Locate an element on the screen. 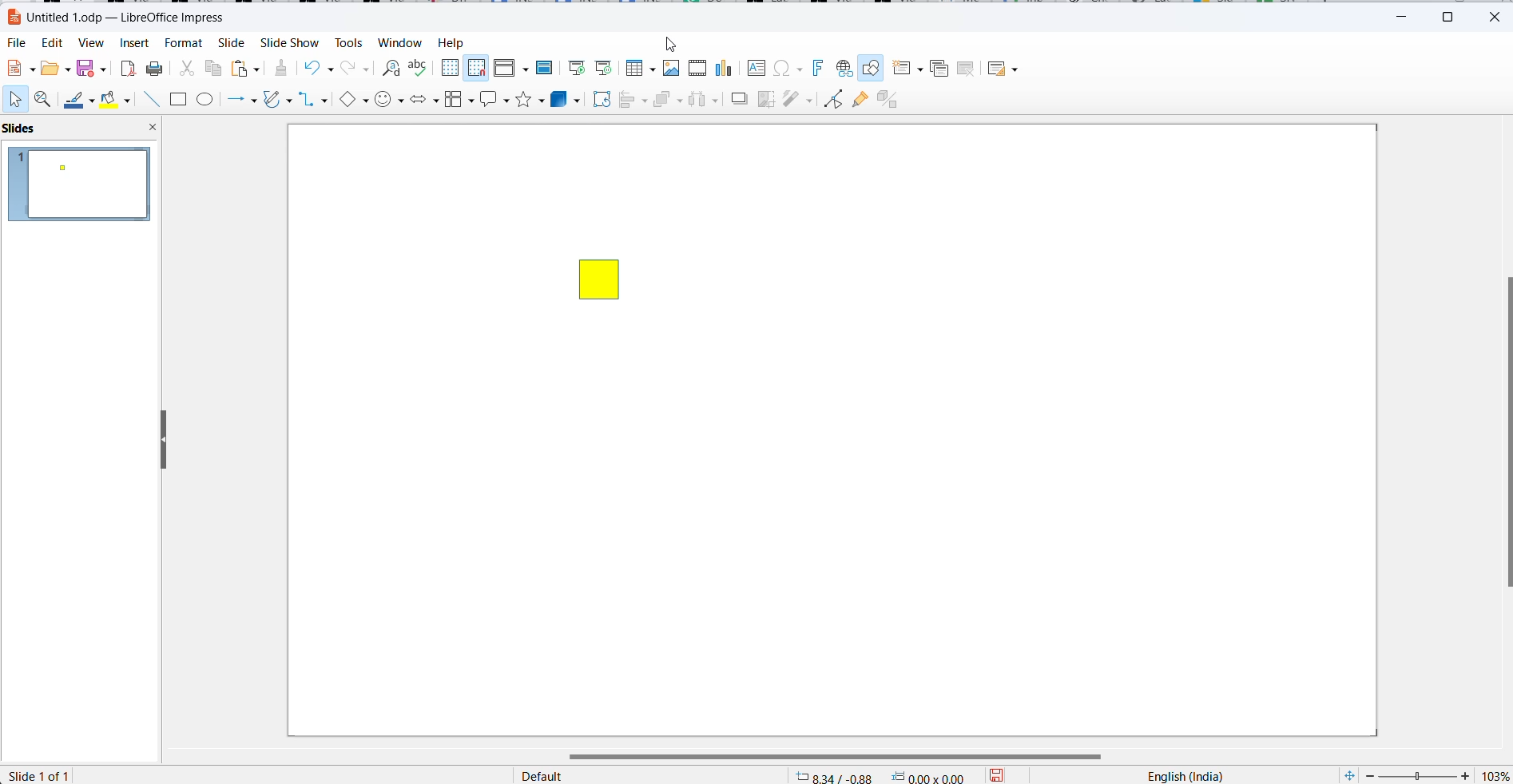 Image resolution: width=1513 pixels, height=784 pixels. scroll bar is located at coordinates (1503, 433).